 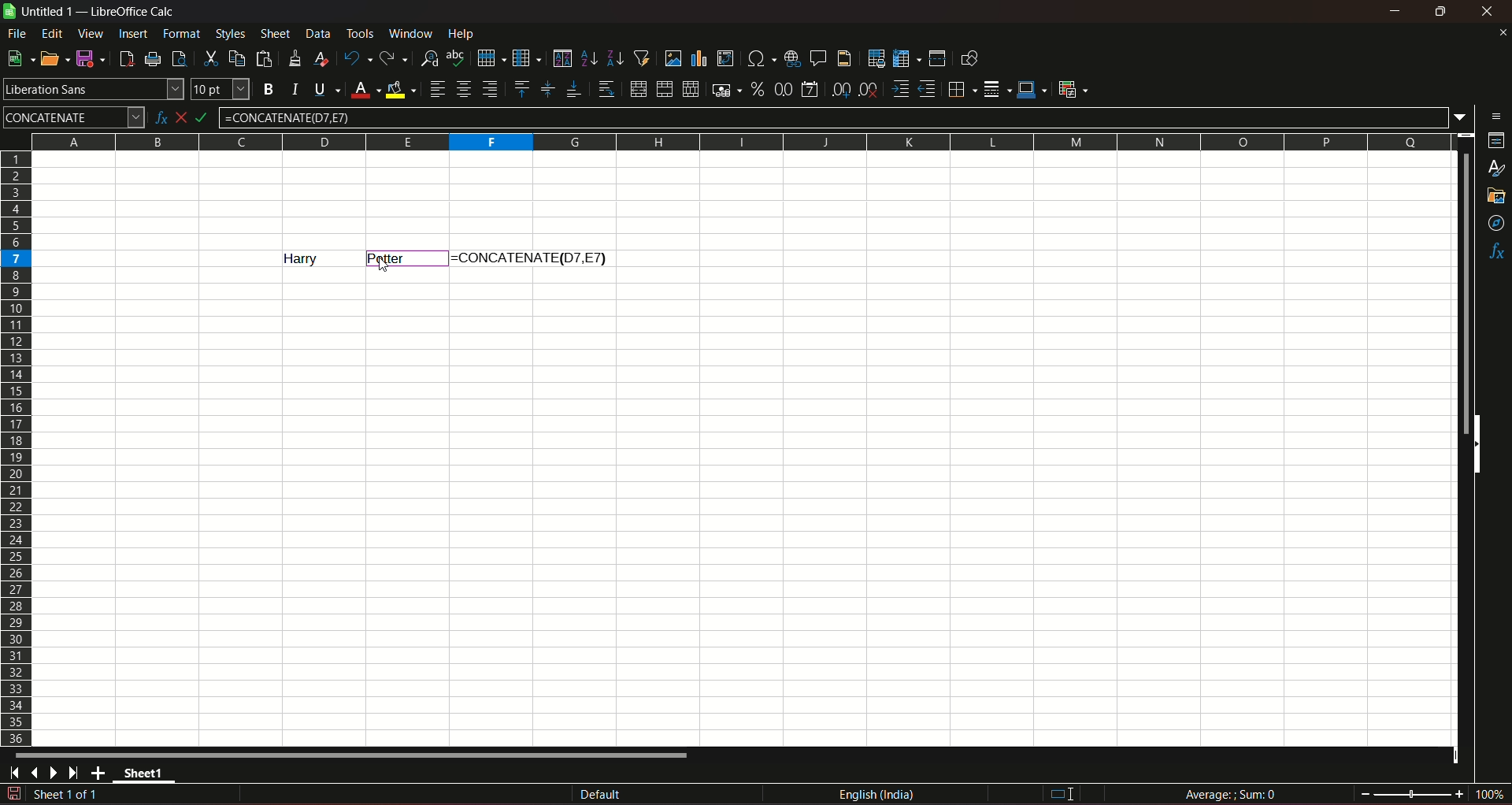 What do you see at coordinates (292, 258) in the screenshot?
I see `text` at bounding box center [292, 258].